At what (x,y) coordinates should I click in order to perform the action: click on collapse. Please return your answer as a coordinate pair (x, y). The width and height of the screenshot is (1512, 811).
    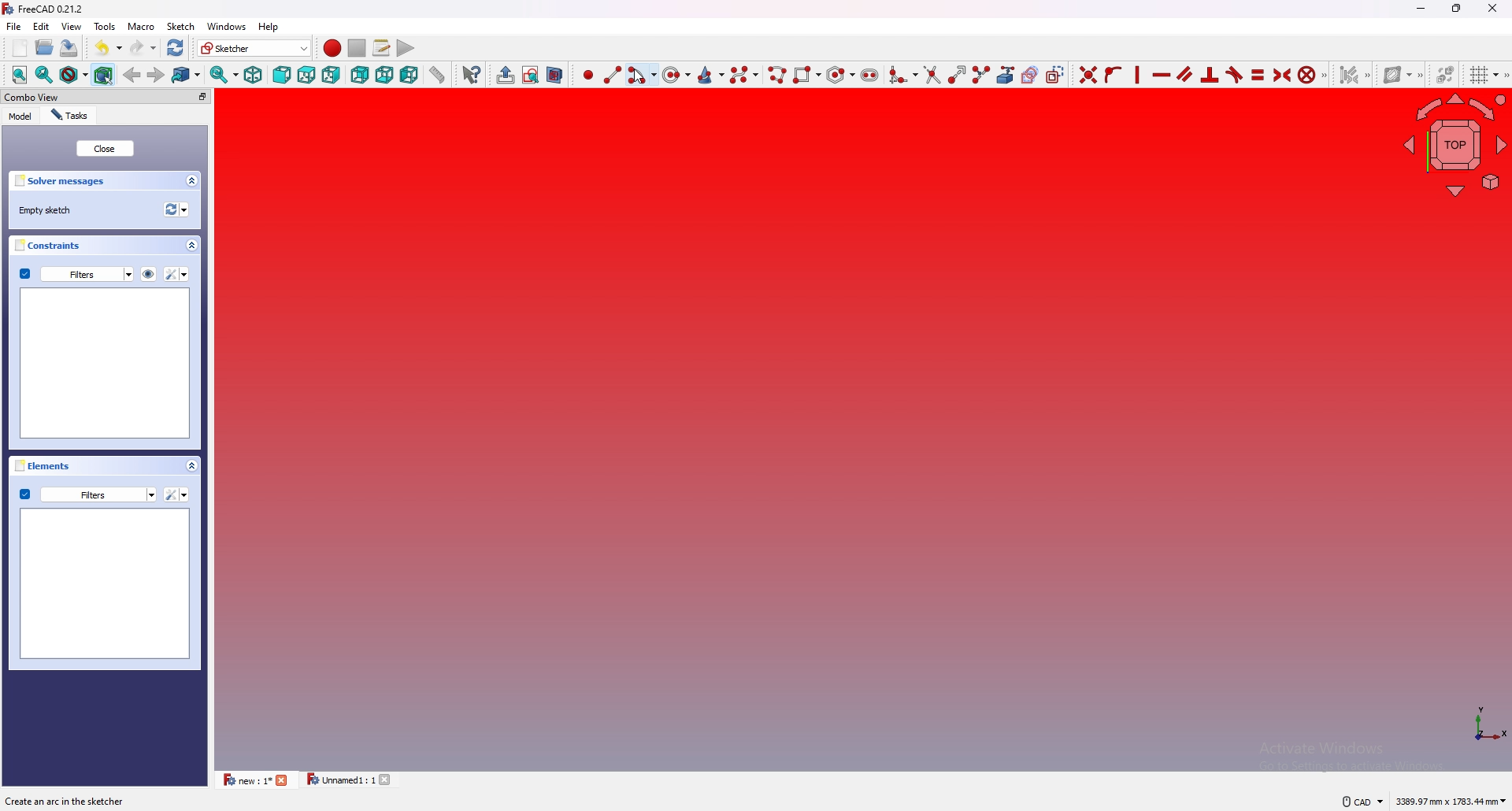
    Looking at the image, I should click on (192, 181).